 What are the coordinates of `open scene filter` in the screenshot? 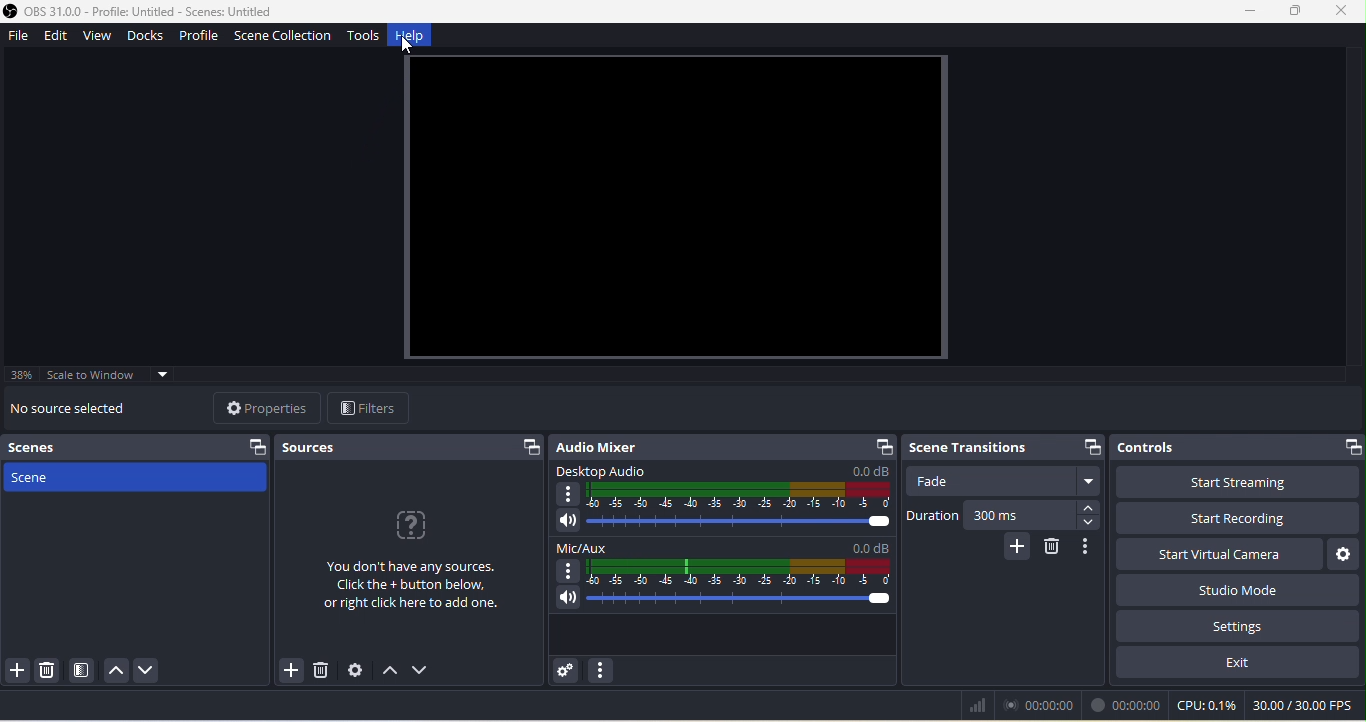 It's located at (86, 671).